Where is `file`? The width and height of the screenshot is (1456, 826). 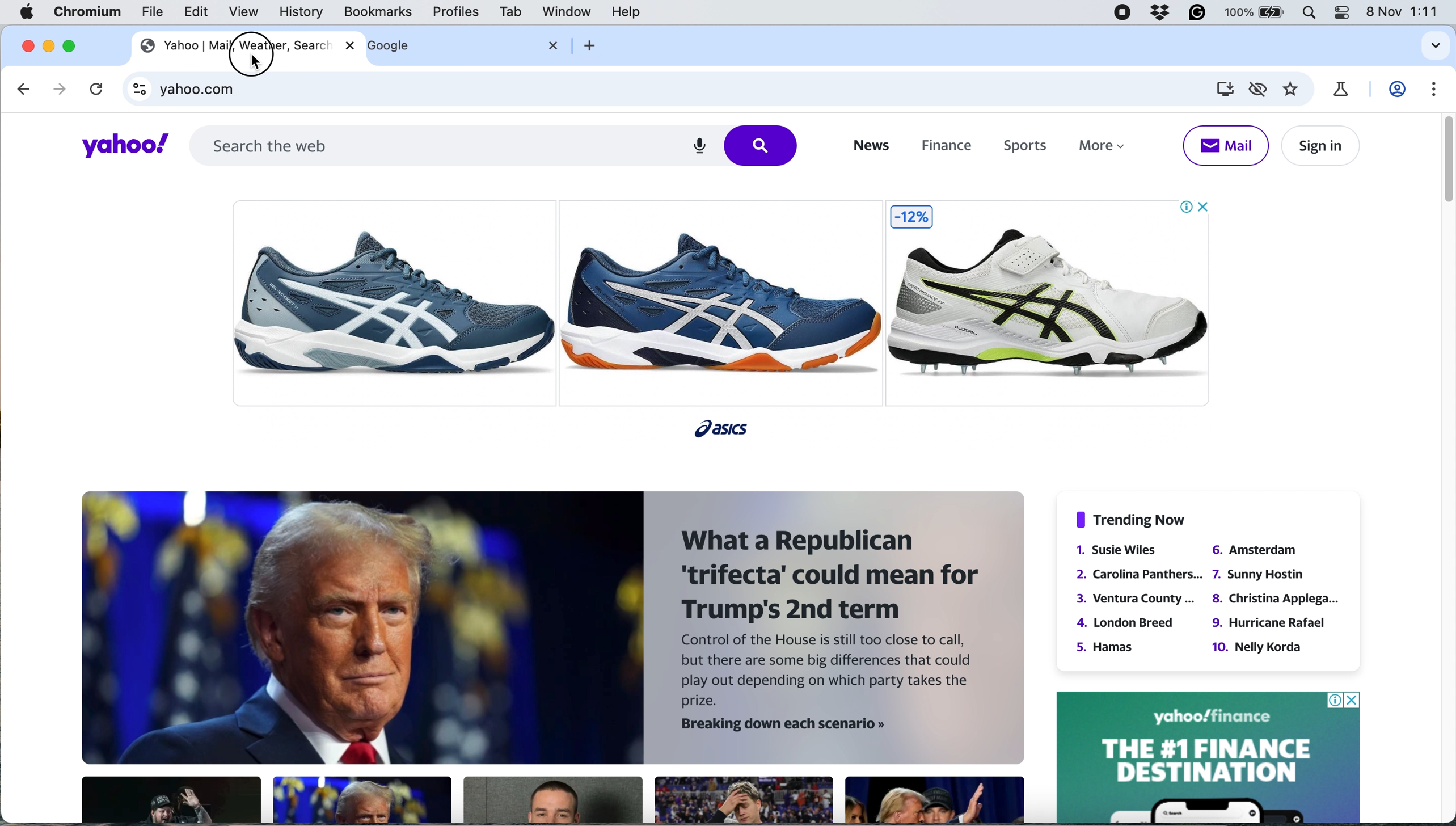
file is located at coordinates (153, 15).